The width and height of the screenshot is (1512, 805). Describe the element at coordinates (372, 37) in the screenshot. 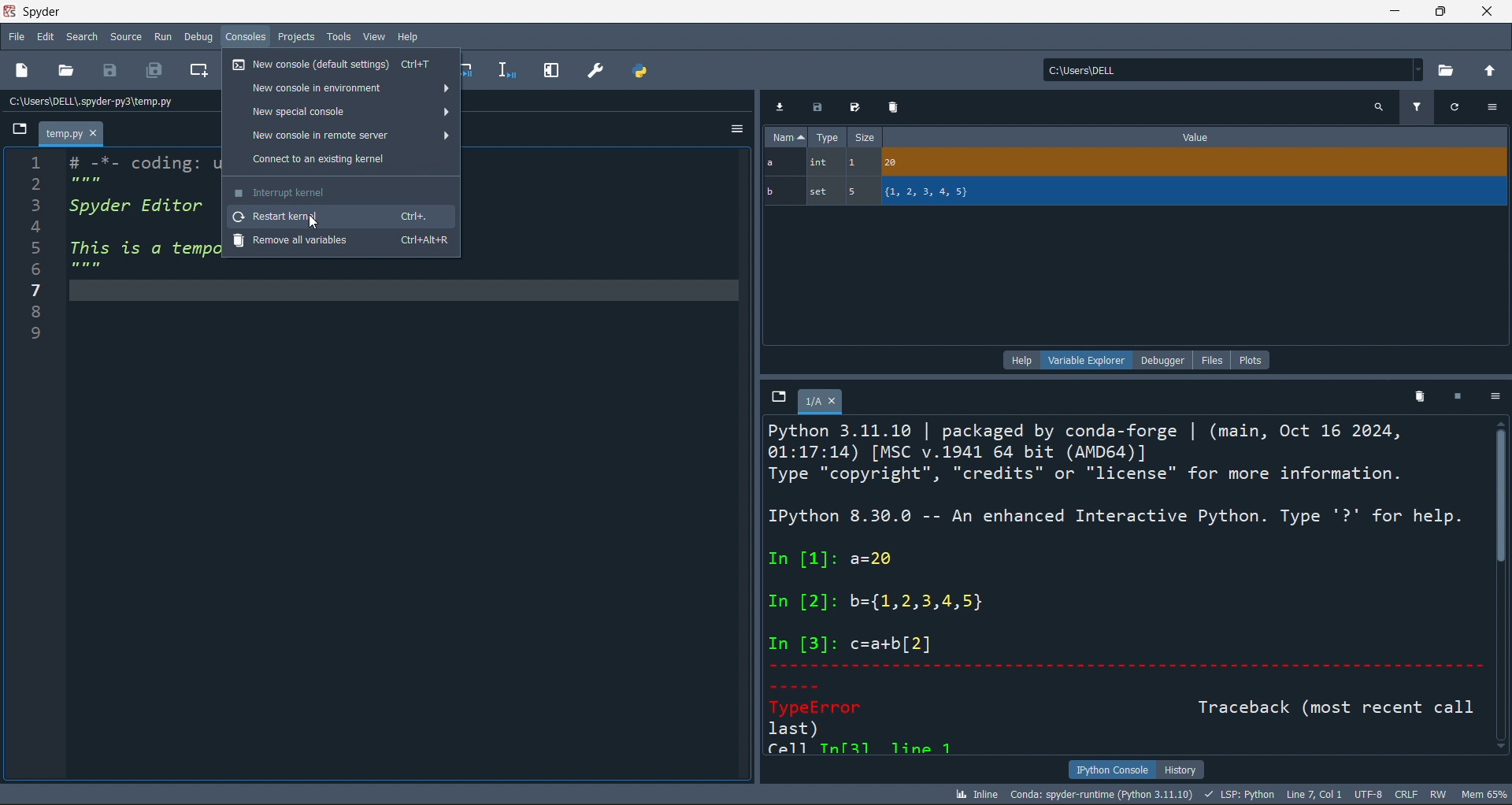

I see `View` at that location.